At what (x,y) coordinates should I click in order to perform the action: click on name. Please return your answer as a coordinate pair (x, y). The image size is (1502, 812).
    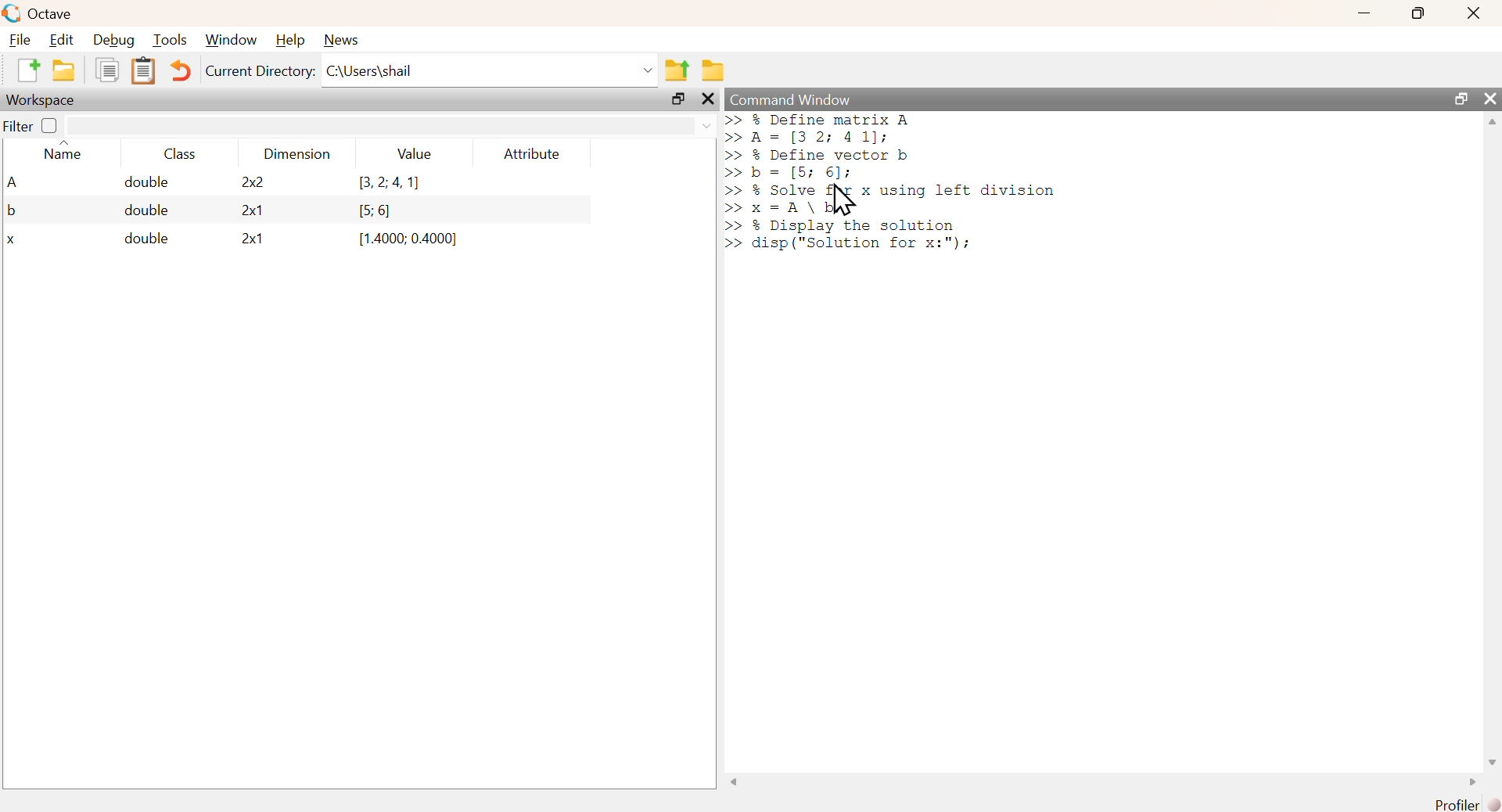
    Looking at the image, I should click on (60, 153).